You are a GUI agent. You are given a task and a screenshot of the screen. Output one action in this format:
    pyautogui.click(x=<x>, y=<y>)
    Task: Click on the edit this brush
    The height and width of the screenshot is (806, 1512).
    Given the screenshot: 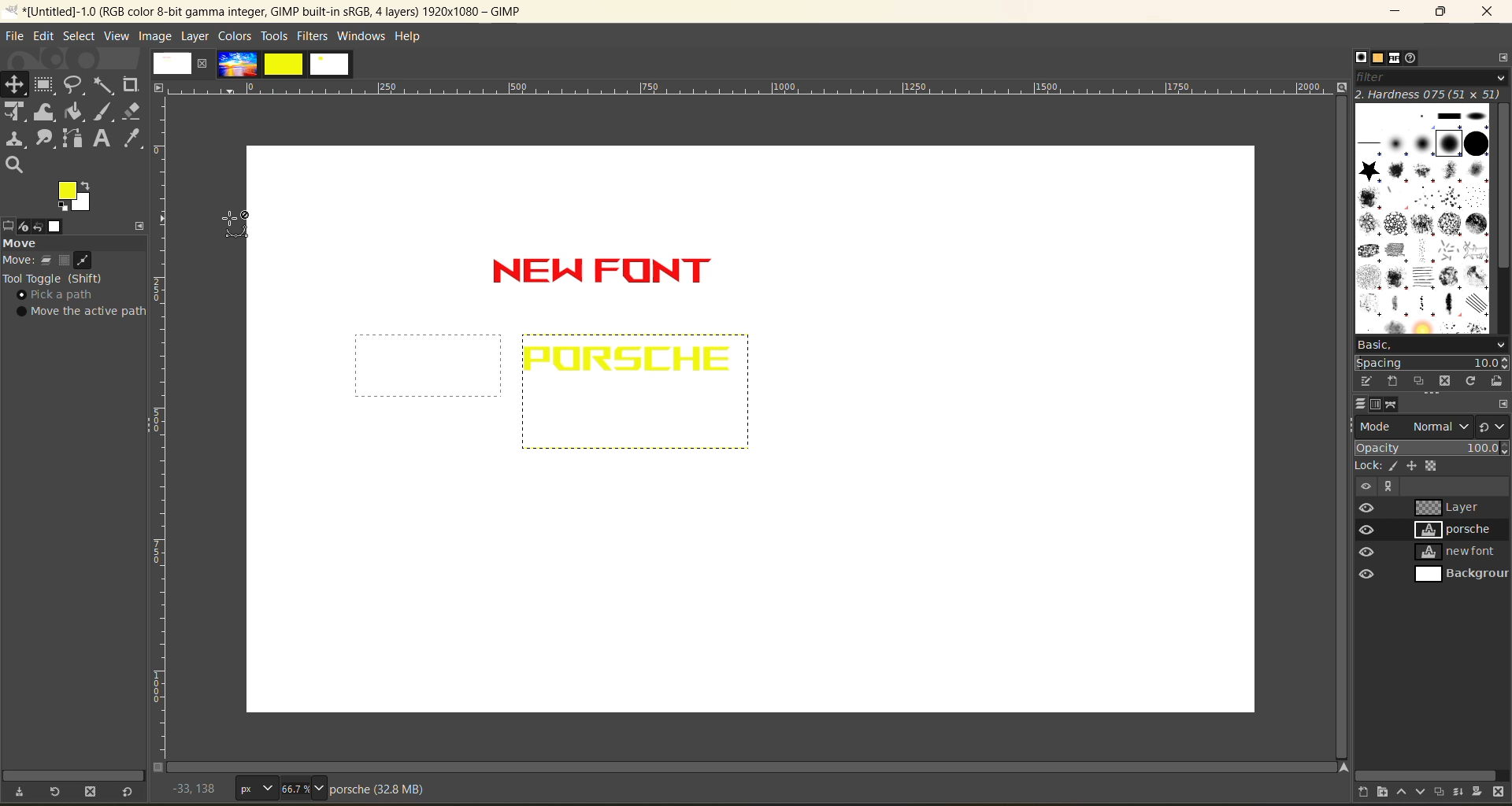 What is the action you would take?
    pyautogui.click(x=1358, y=381)
    